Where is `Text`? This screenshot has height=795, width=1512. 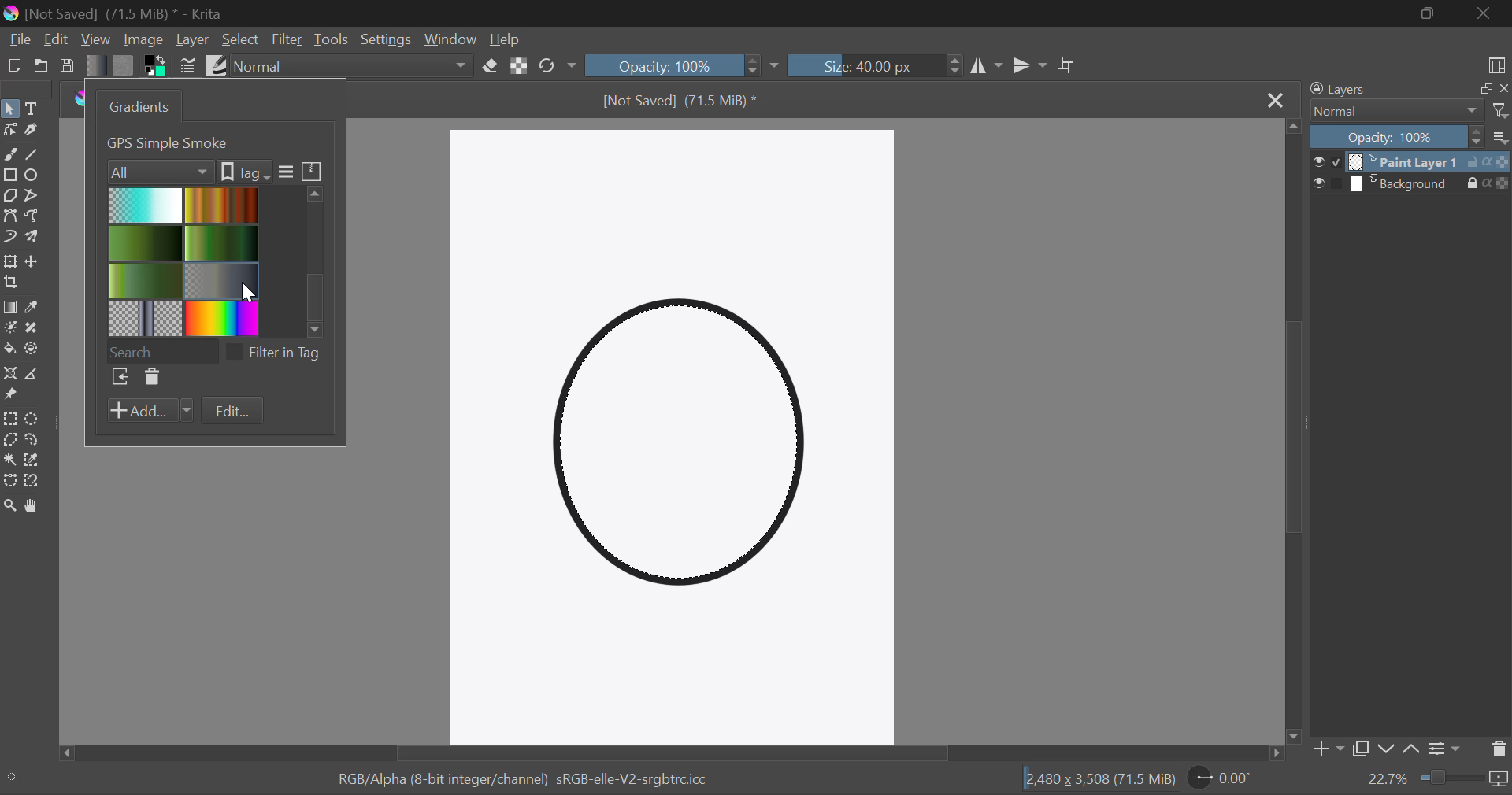 Text is located at coordinates (35, 109).